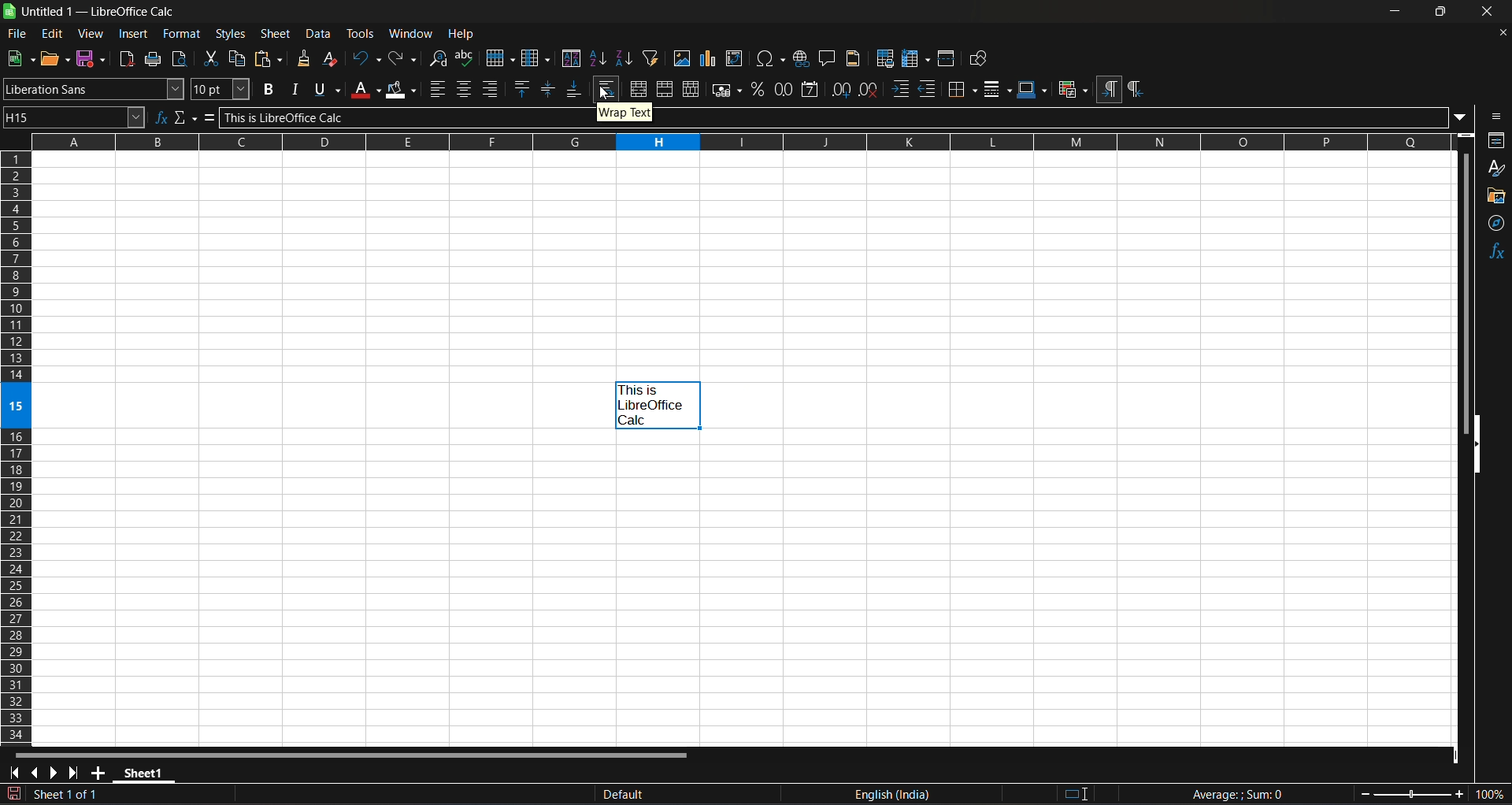  Describe the element at coordinates (885, 58) in the screenshot. I see `define print area` at that location.